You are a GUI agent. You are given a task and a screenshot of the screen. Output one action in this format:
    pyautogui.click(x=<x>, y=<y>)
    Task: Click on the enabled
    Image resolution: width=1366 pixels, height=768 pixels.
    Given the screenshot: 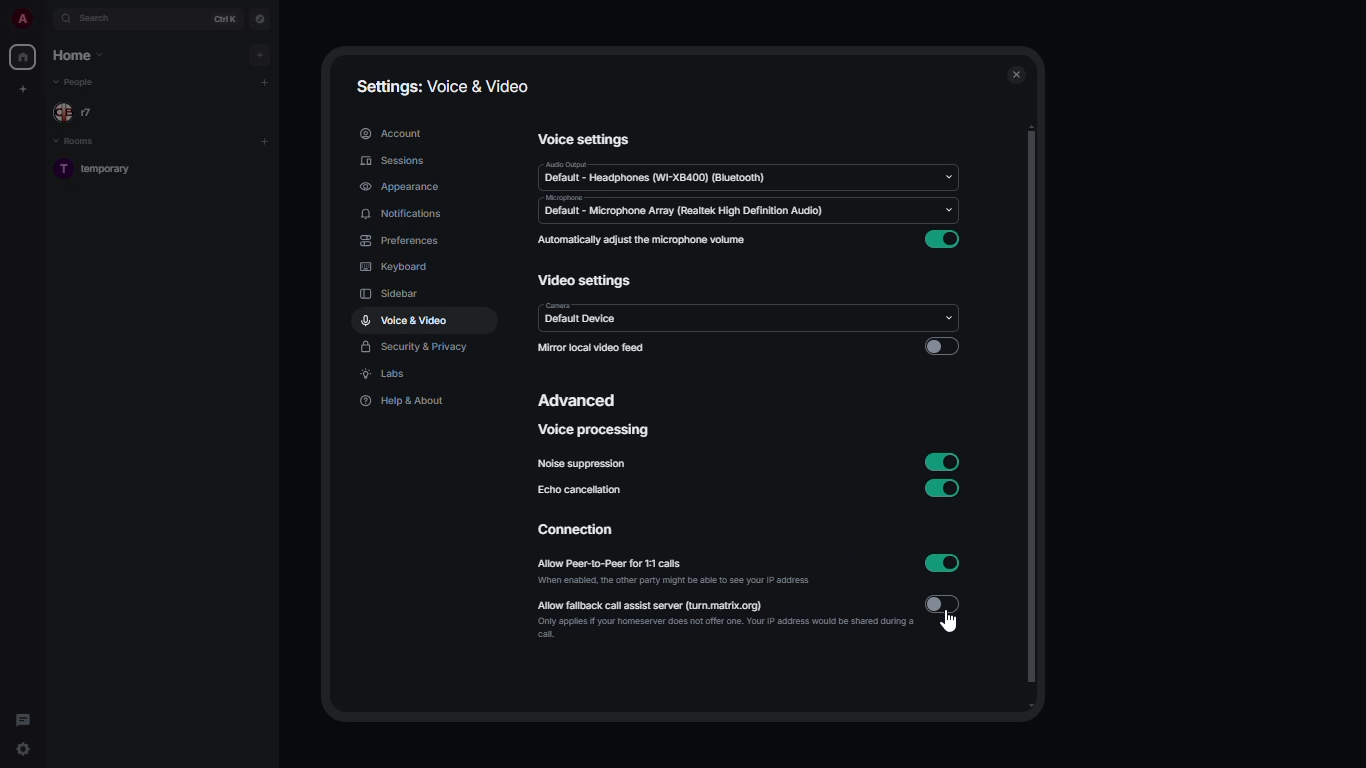 What is the action you would take?
    pyautogui.click(x=942, y=489)
    